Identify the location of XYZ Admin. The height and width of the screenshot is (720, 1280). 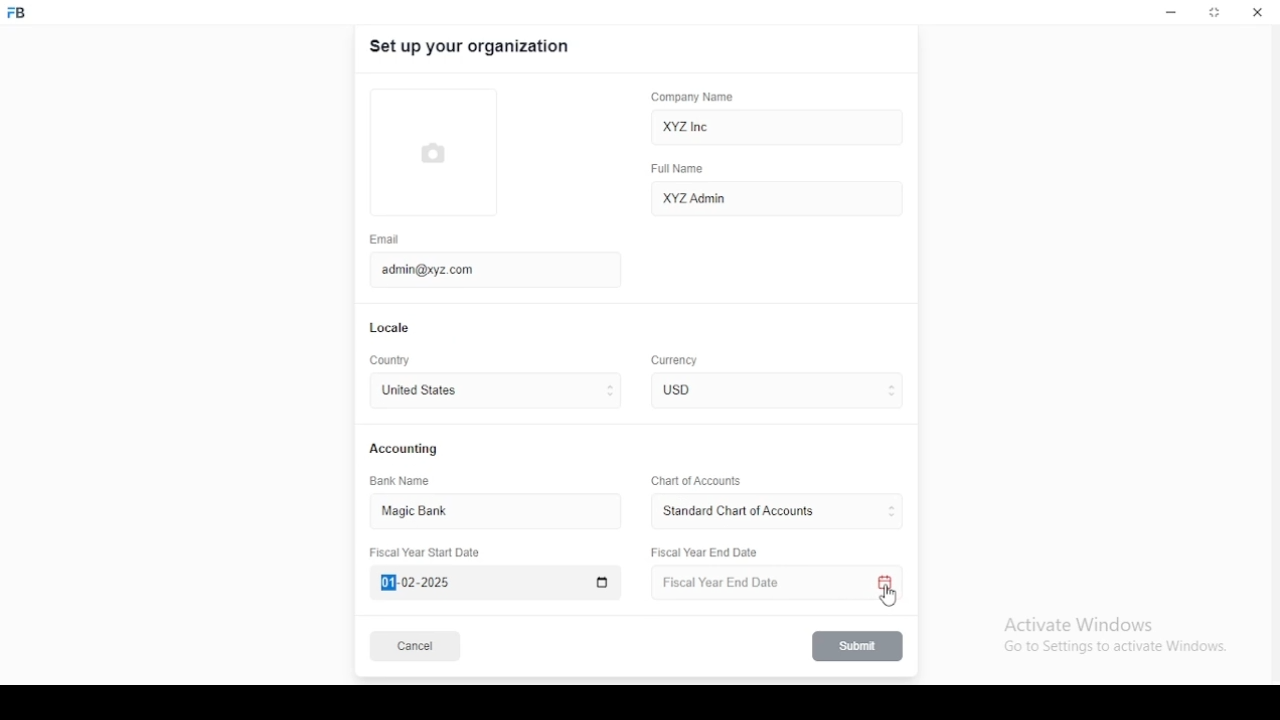
(777, 197).